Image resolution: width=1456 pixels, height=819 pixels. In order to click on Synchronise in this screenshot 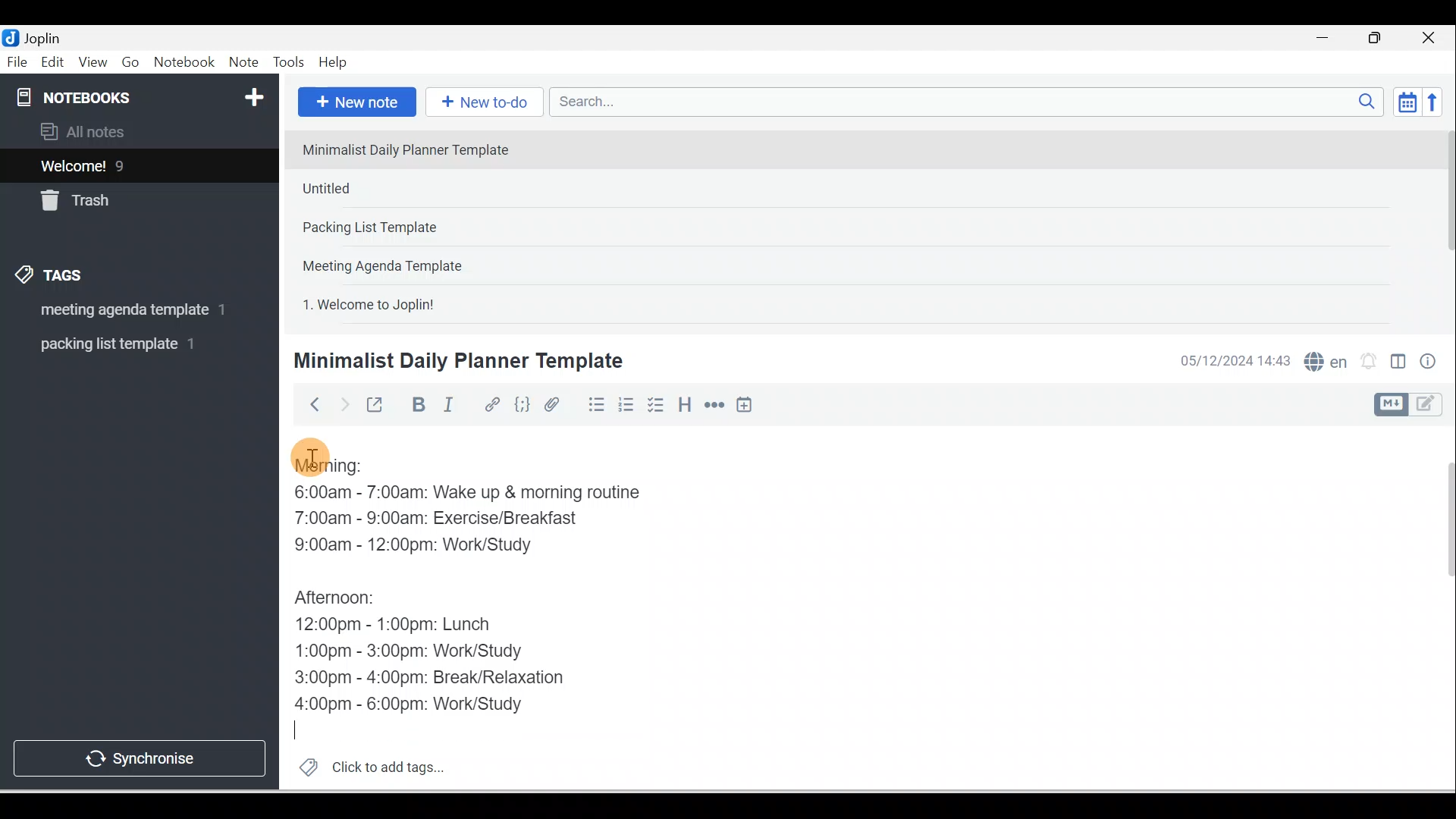, I will do `click(138, 755)`.